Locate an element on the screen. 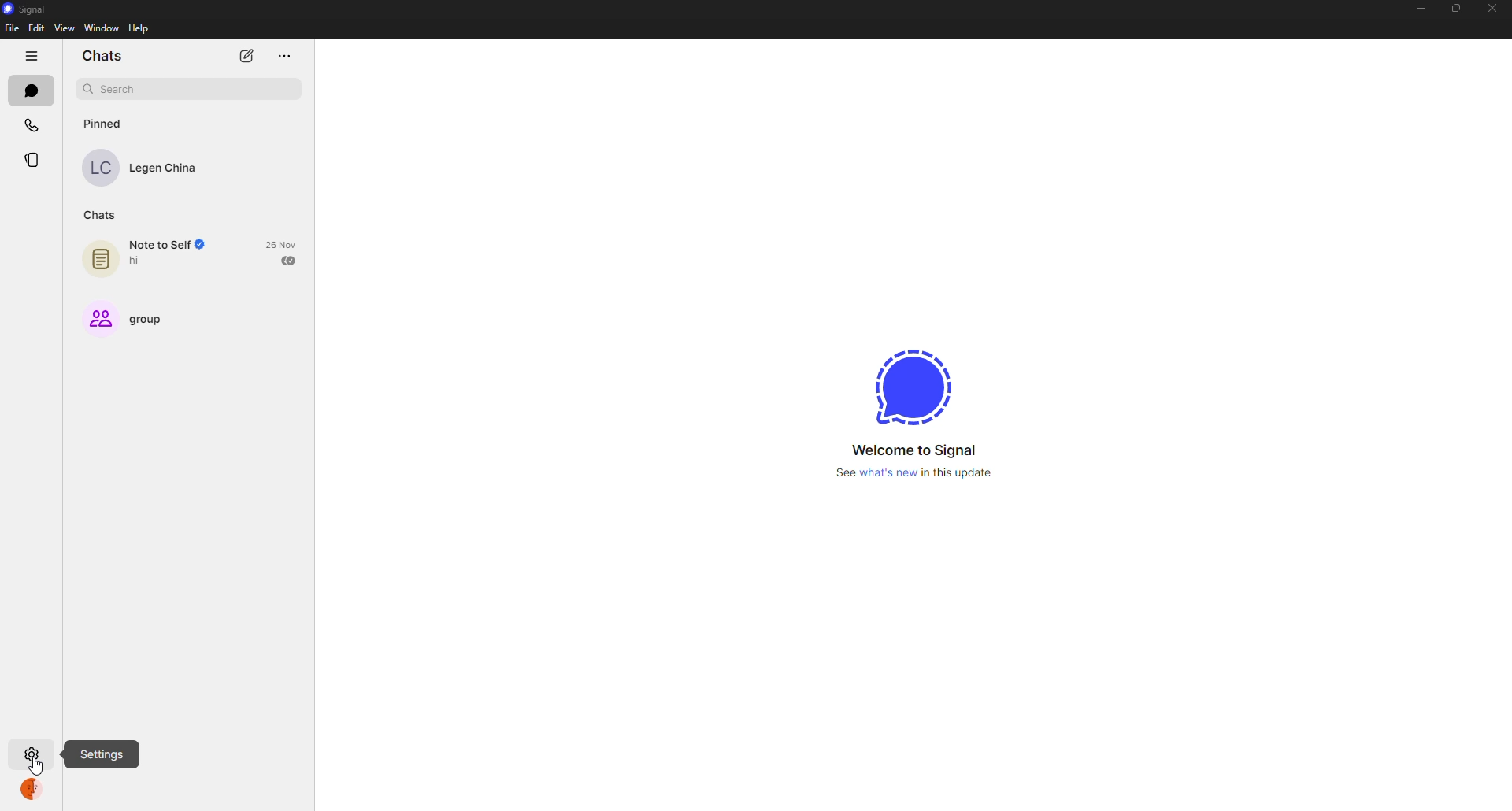  signal is located at coordinates (28, 9).